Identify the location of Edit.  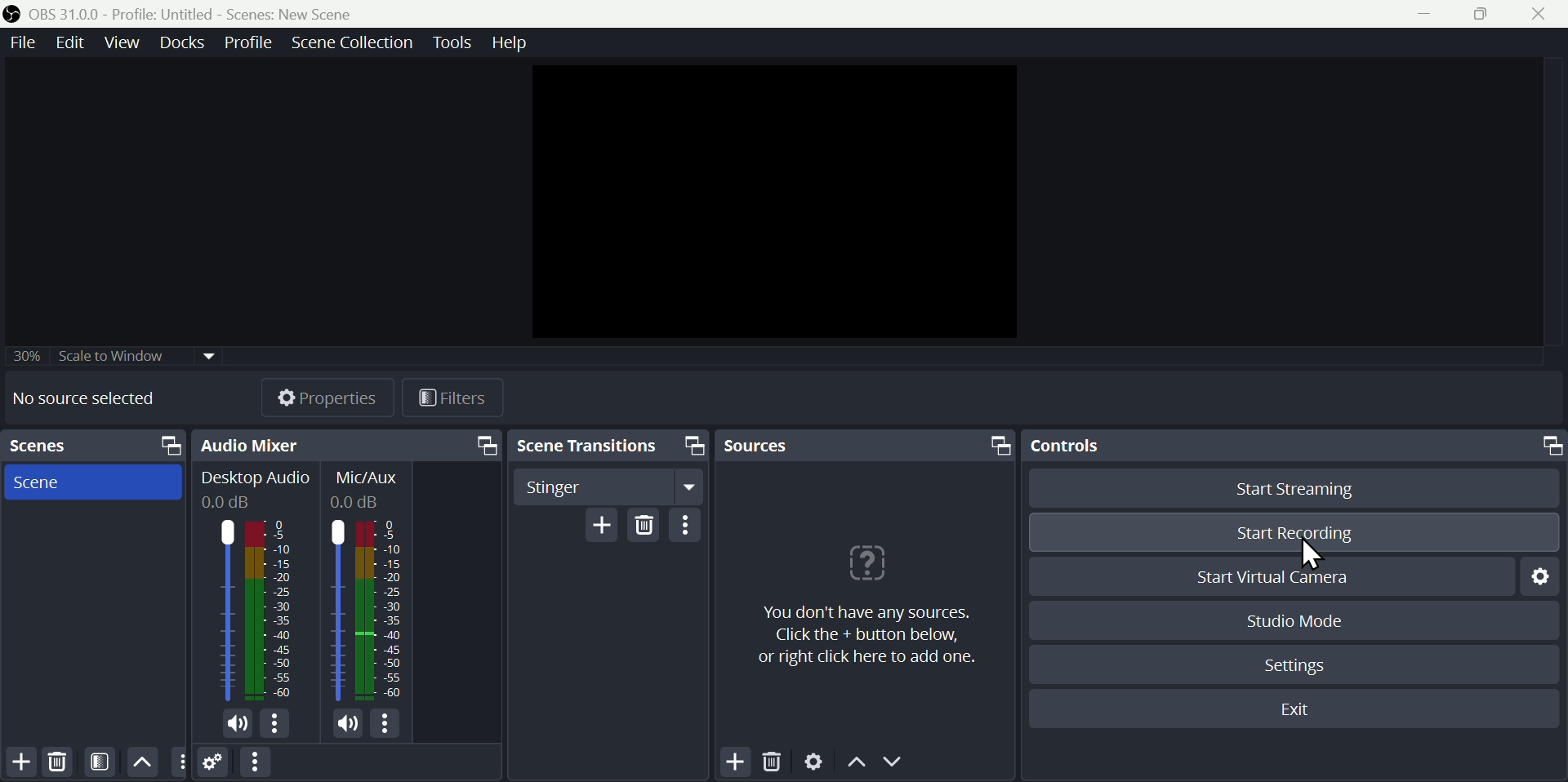
(74, 48).